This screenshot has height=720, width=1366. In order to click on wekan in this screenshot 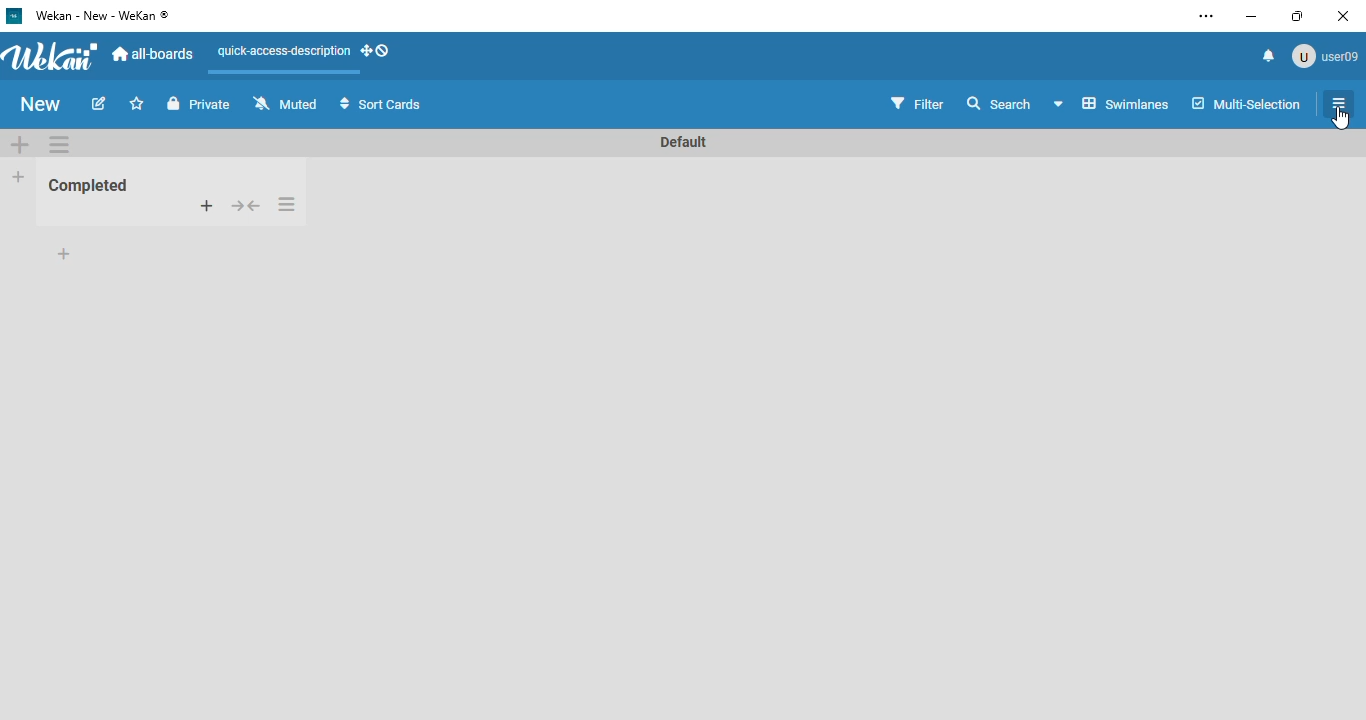, I will do `click(53, 57)`.